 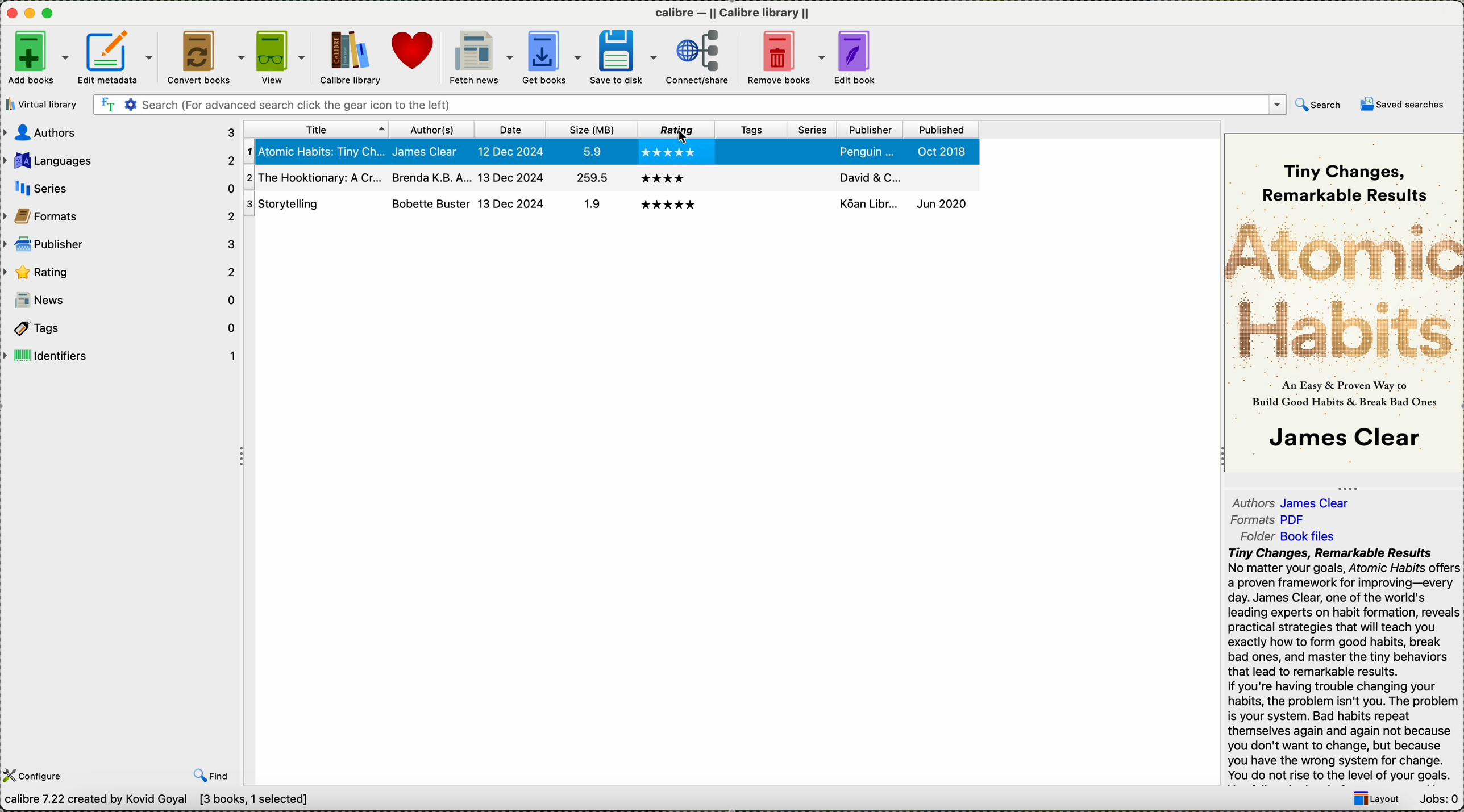 What do you see at coordinates (589, 151) in the screenshot?
I see `5.9` at bounding box center [589, 151].